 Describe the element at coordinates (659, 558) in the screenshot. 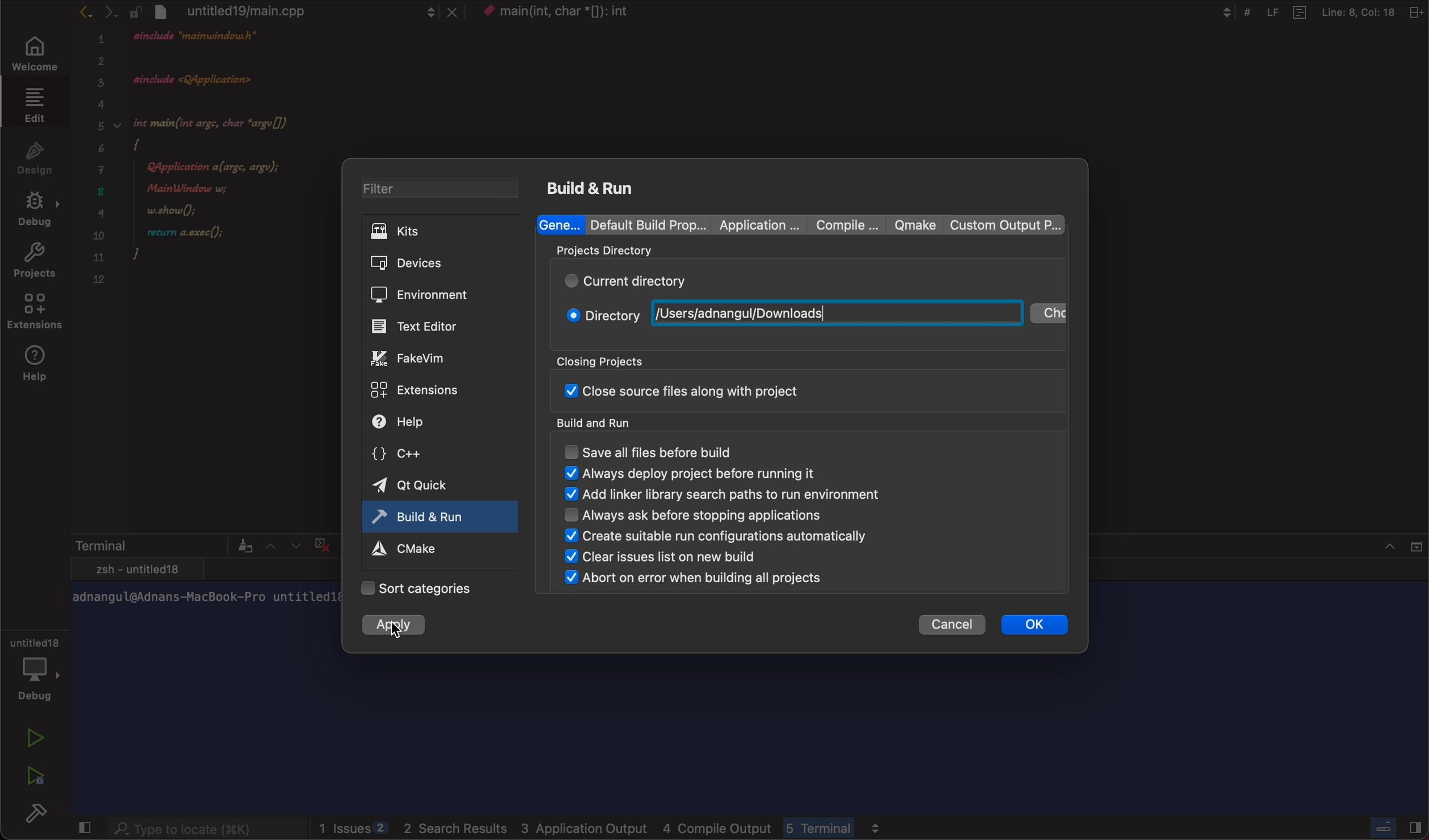

I see `clear issues` at that location.